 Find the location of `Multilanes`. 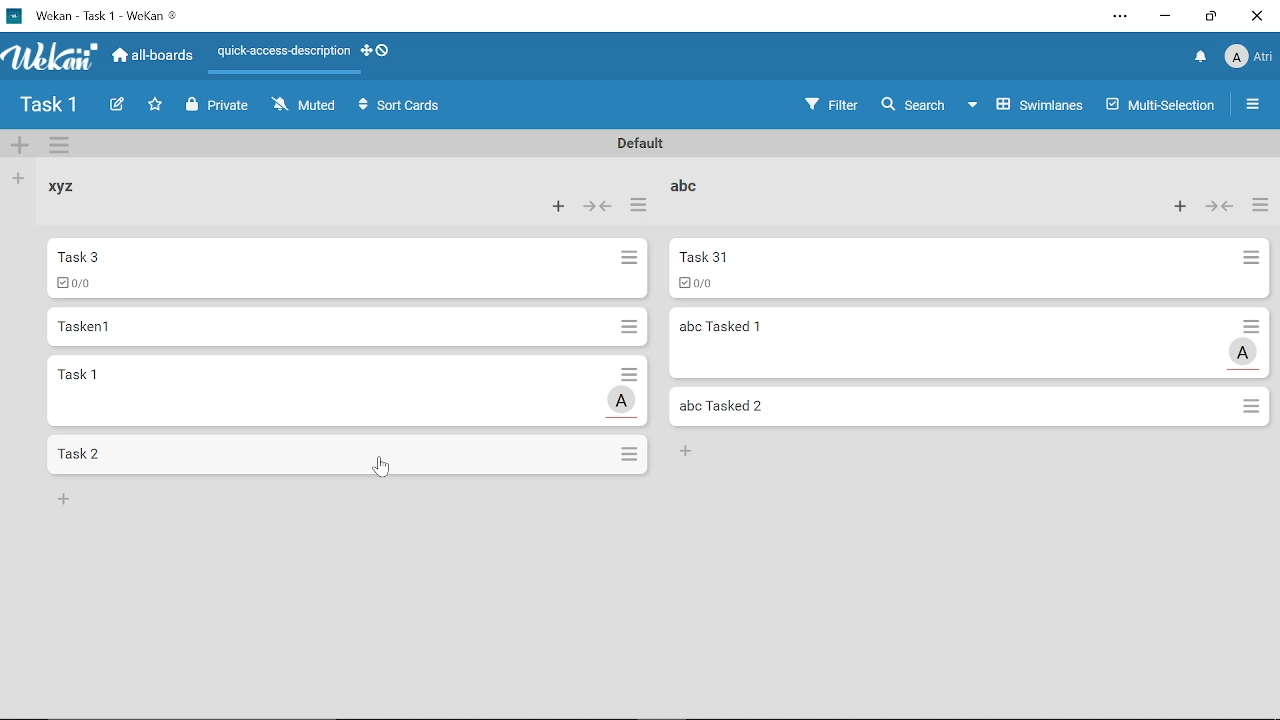

Multilanes is located at coordinates (1163, 107).